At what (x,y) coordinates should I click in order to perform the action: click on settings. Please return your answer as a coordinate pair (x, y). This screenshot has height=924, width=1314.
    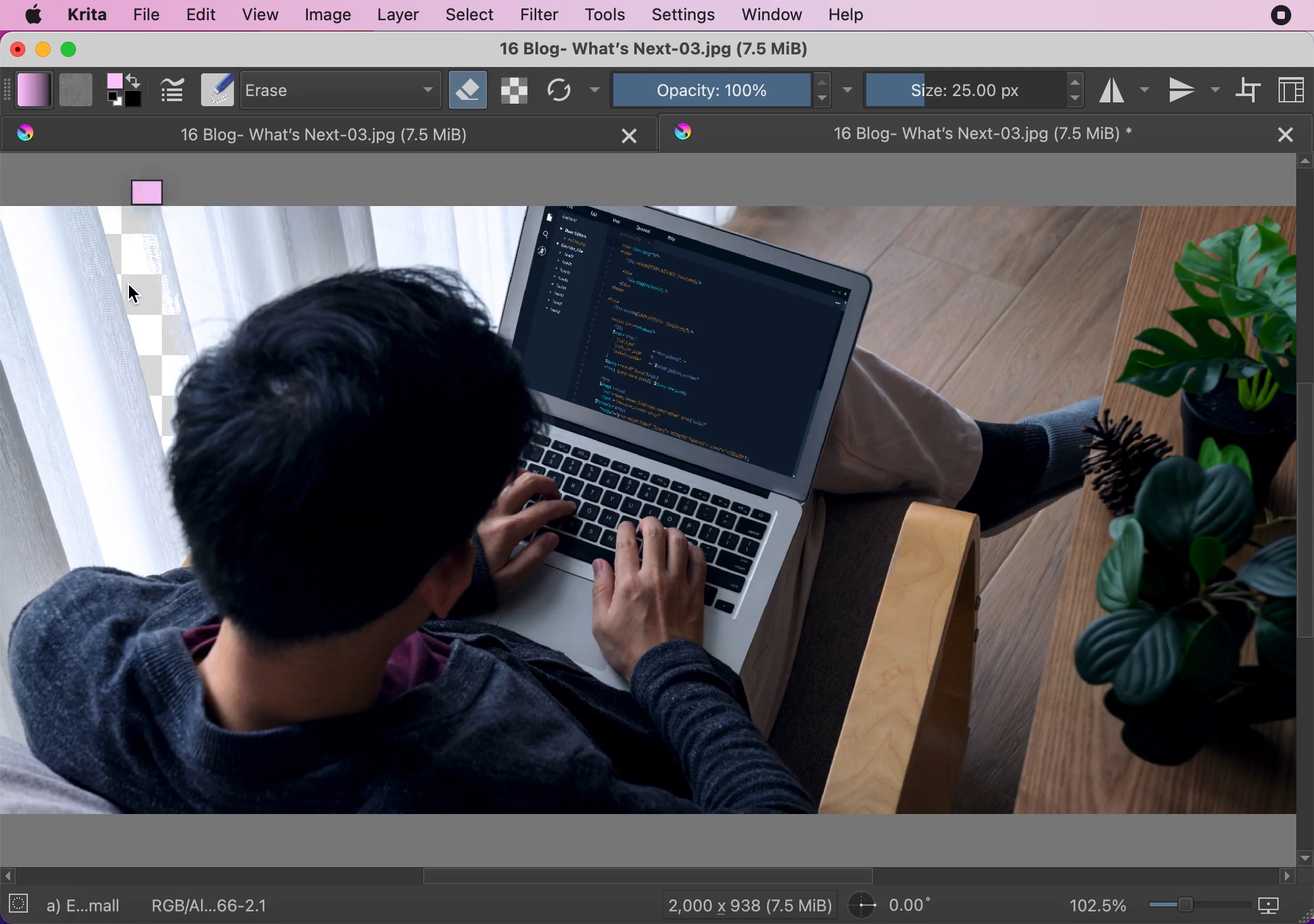
    Looking at the image, I should click on (684, 15).